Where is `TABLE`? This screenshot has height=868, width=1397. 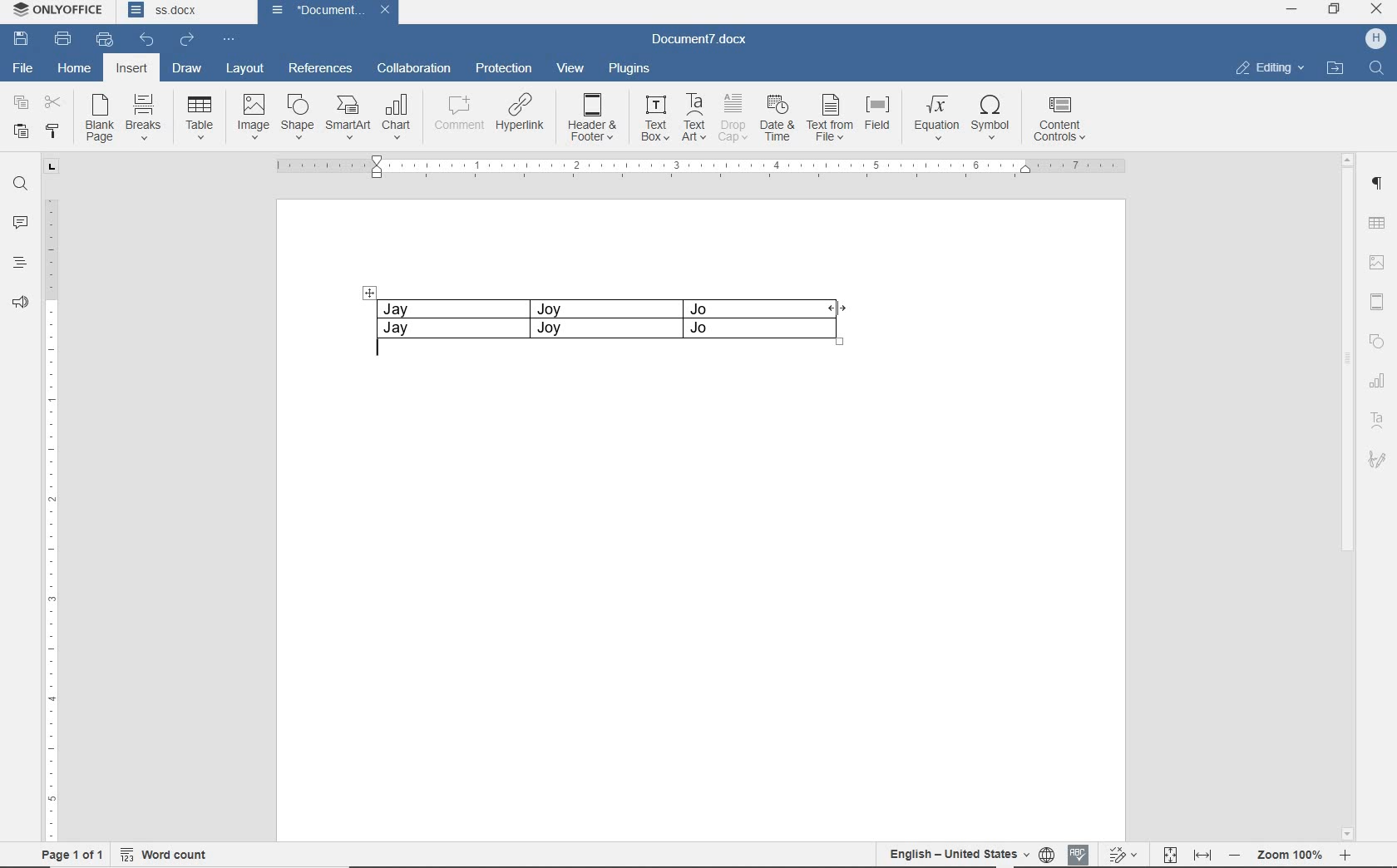
TABLE is located at coordinates (1377, 221).